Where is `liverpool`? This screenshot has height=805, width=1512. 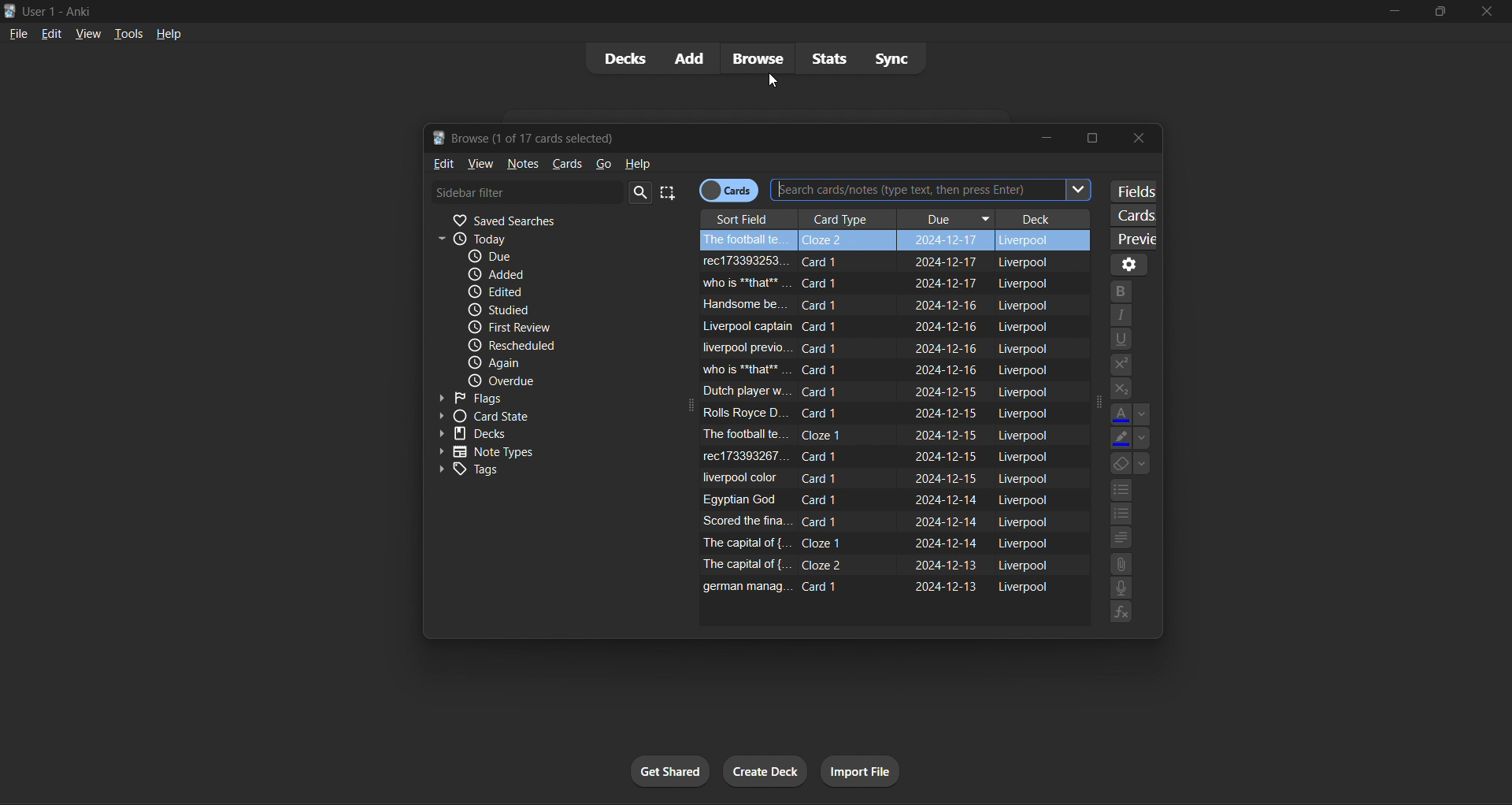
liverpool is located at coordinates (1032, 391).